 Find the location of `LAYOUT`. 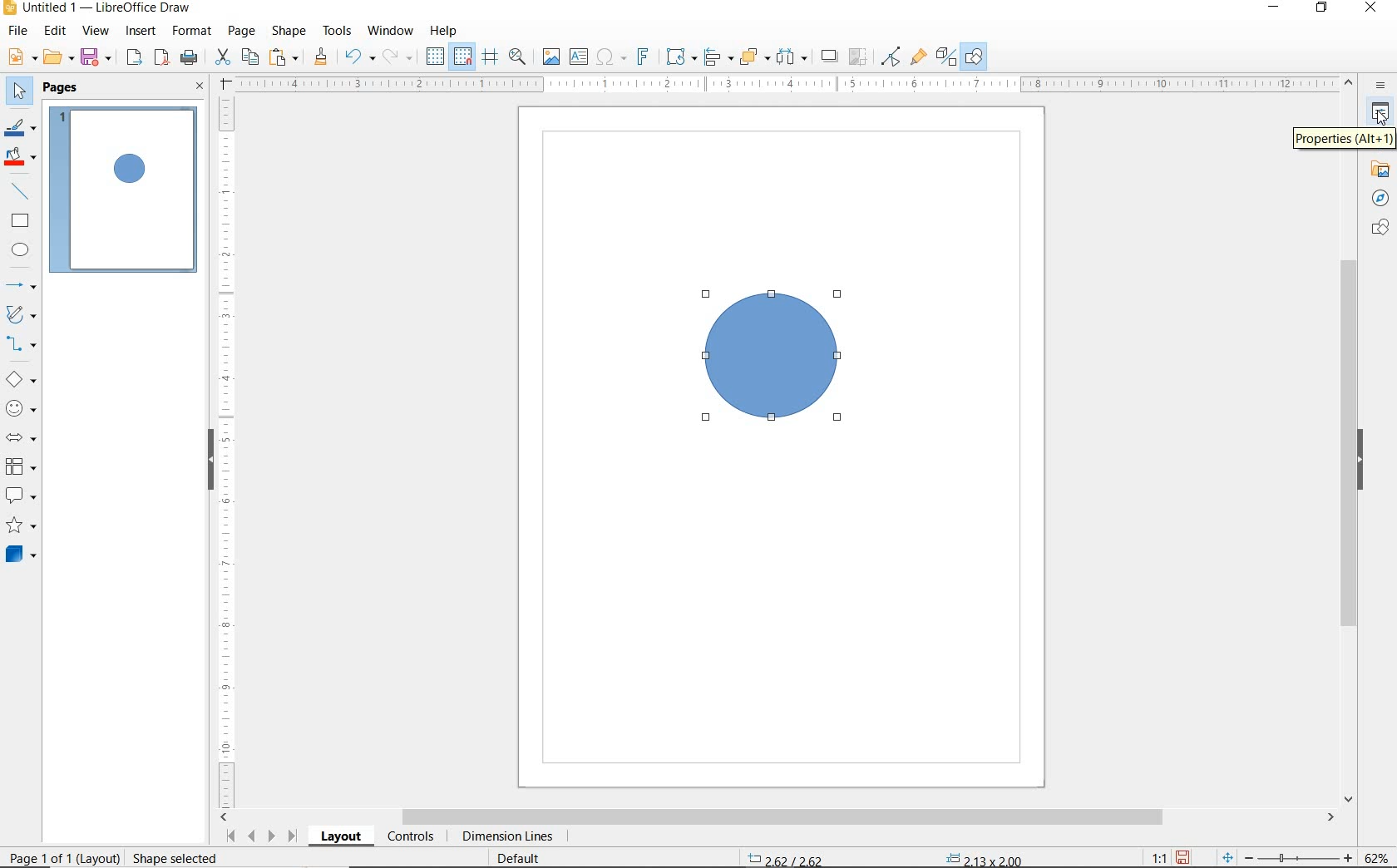

LAYOUT is located at coordinates (341, 839).